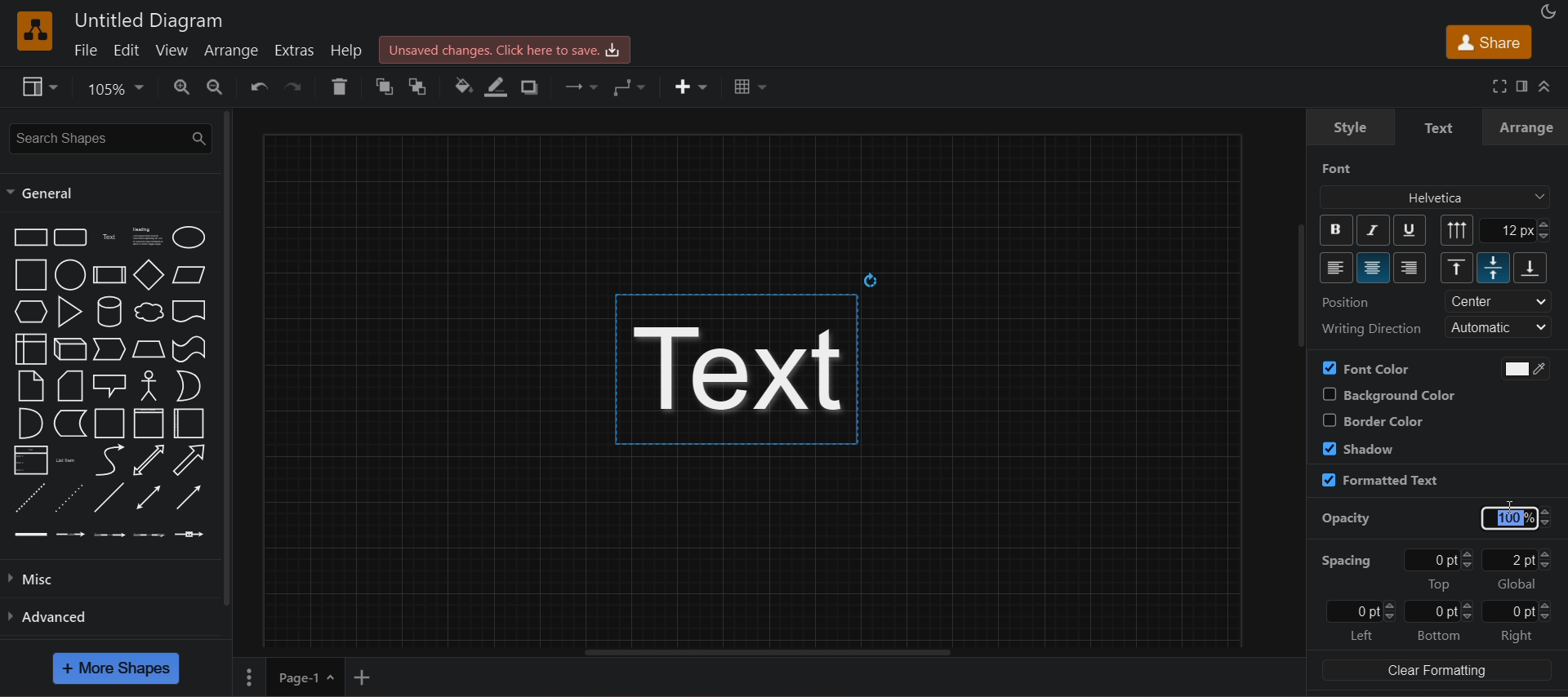  Describe the element at coordinates (380, 87) in the screenshot. I see `to front` at that location.